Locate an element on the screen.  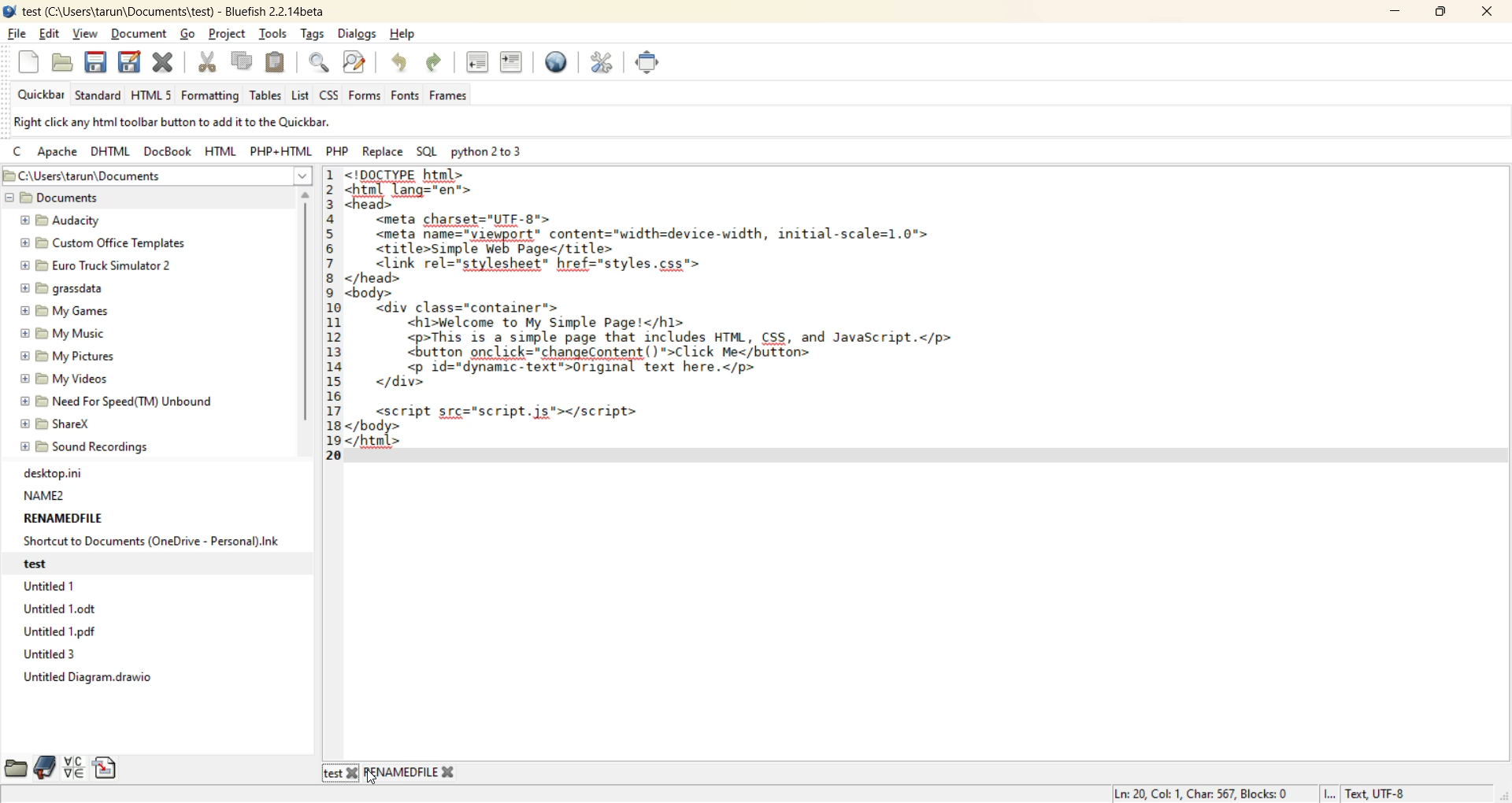
c is located at coordinates (19, 153).